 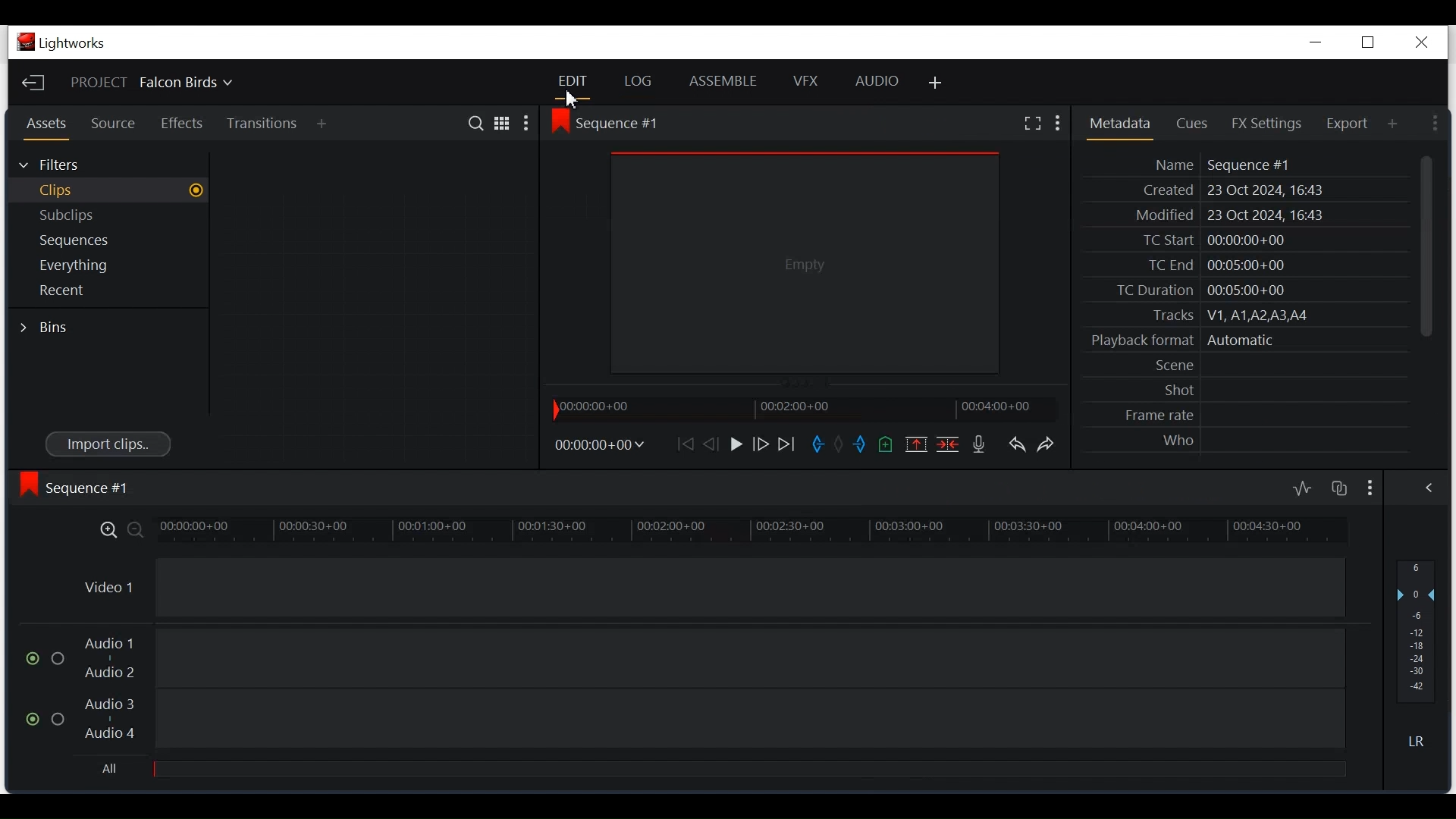 What do you see at coordinates (1420, 39) in the screenshot?
I see `Close` at bounding box center [1420, 39].